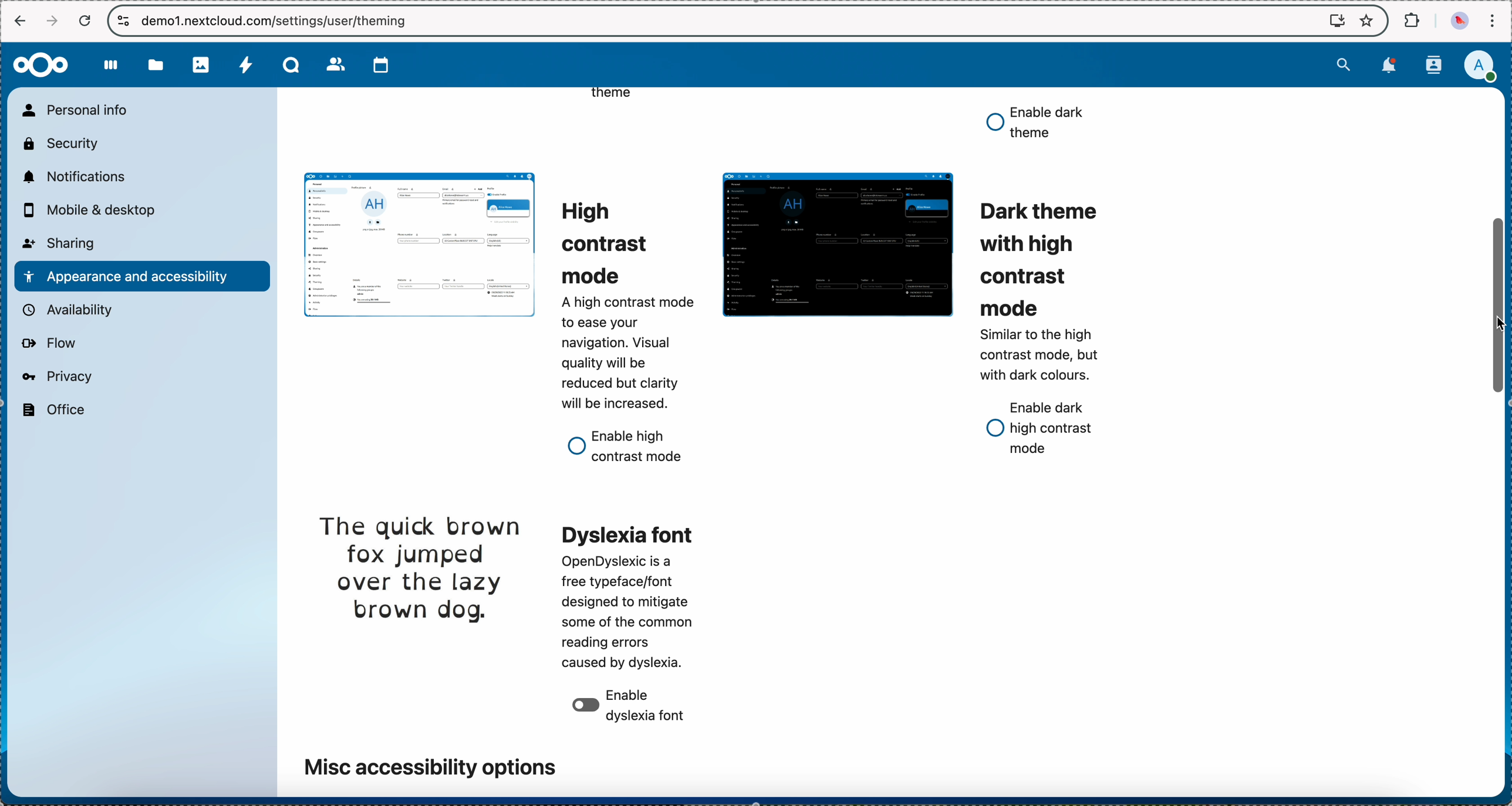 This screenshot has height=806, width=1512. What do you see at coordinates (80, 110) in the screenshot?
I see `personal info` at bounding box center [80, 110].